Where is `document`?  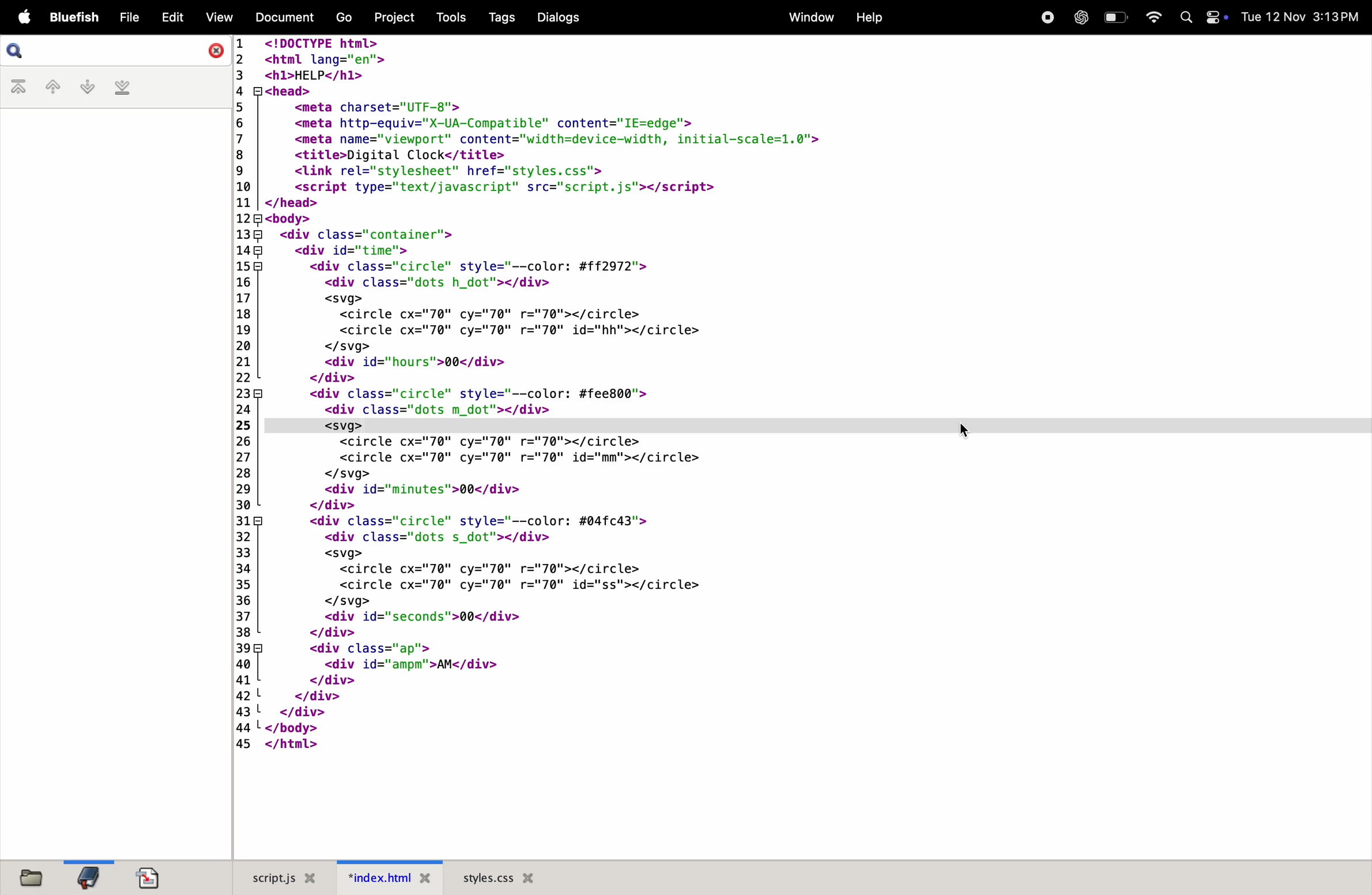 document is located at coordinates (281, 16).